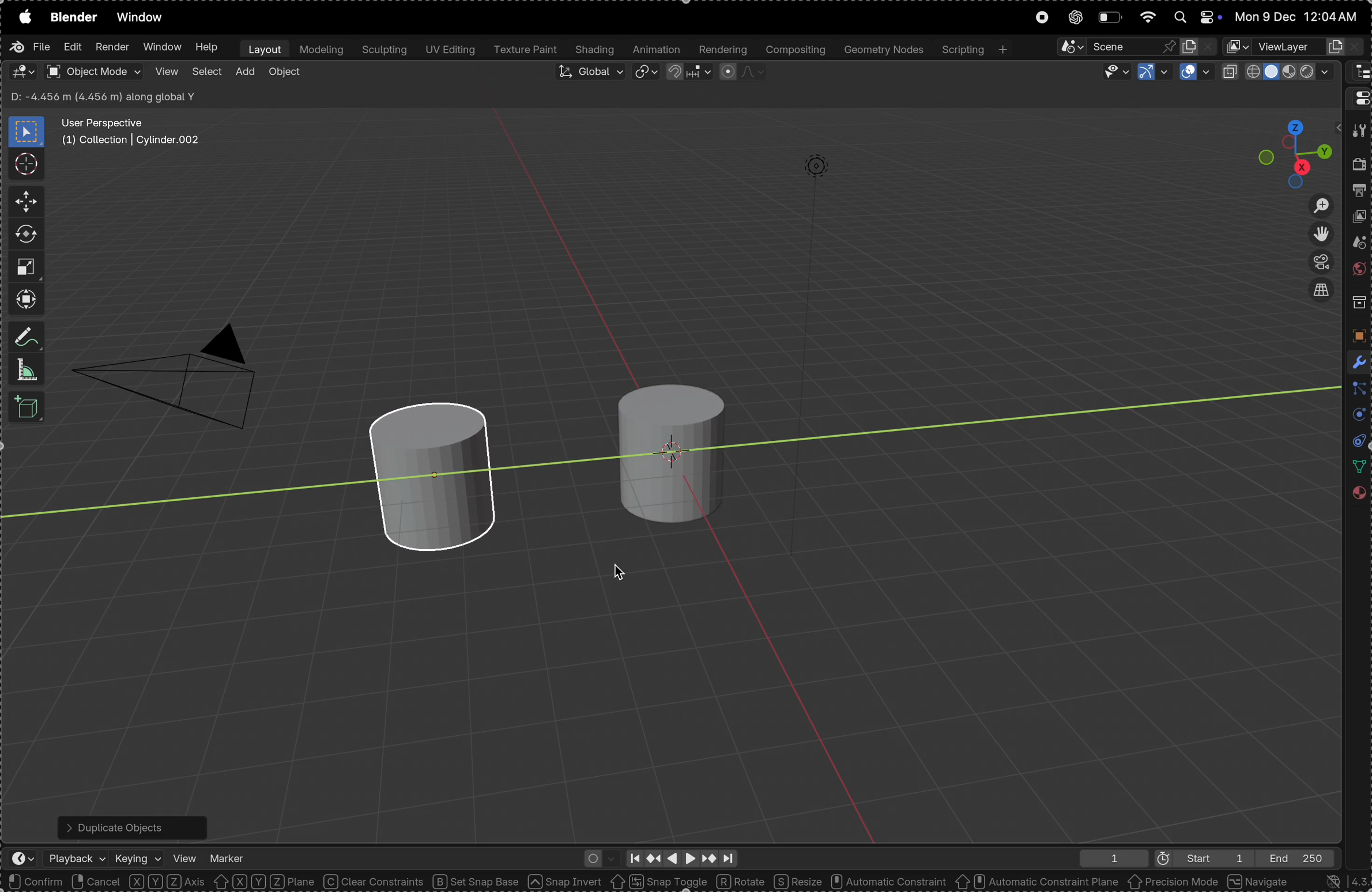  I want to click on render, so click(1359, 167).